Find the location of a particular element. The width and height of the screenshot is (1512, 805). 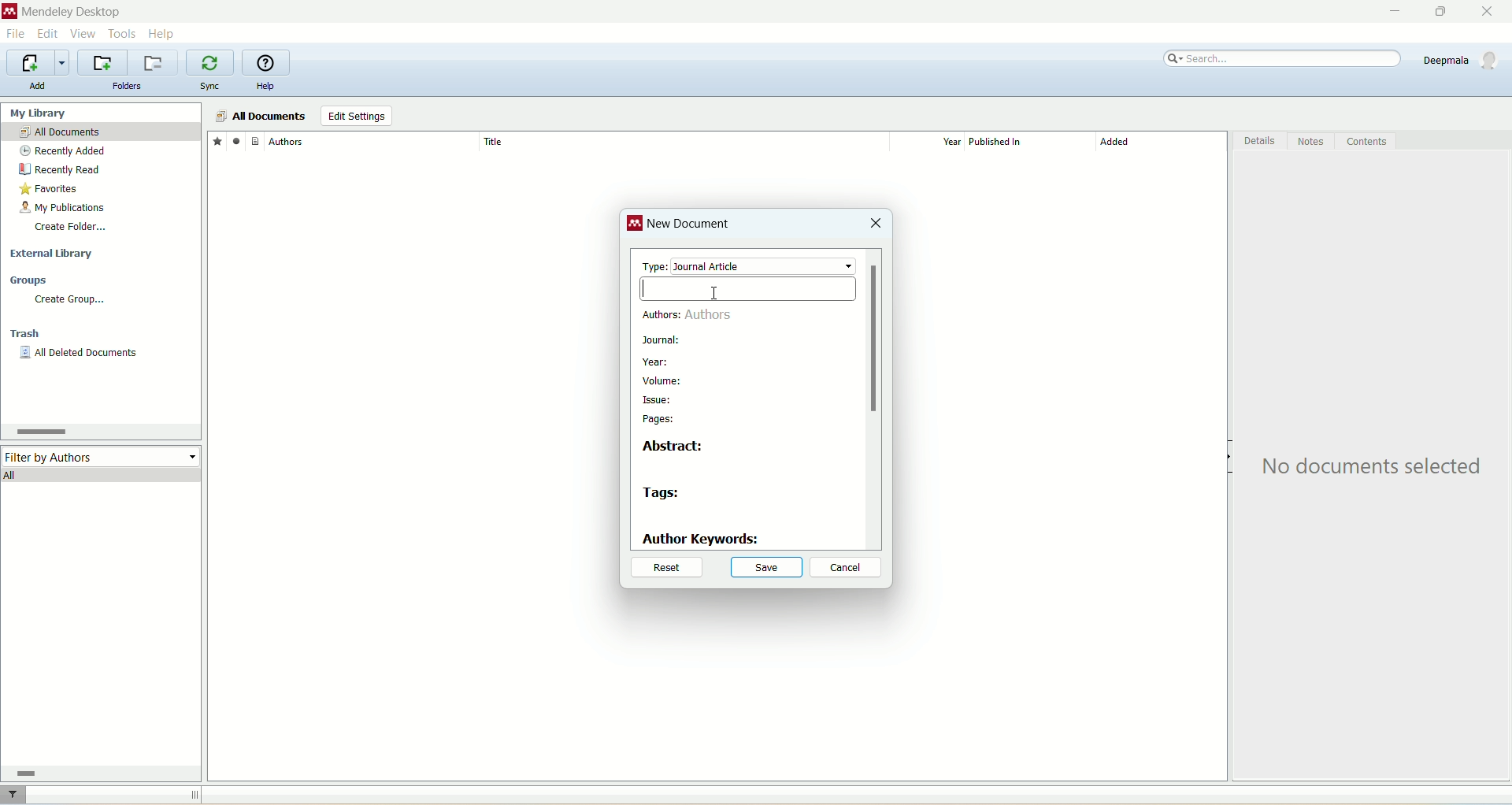

my library is located at coordinates (40, 113).